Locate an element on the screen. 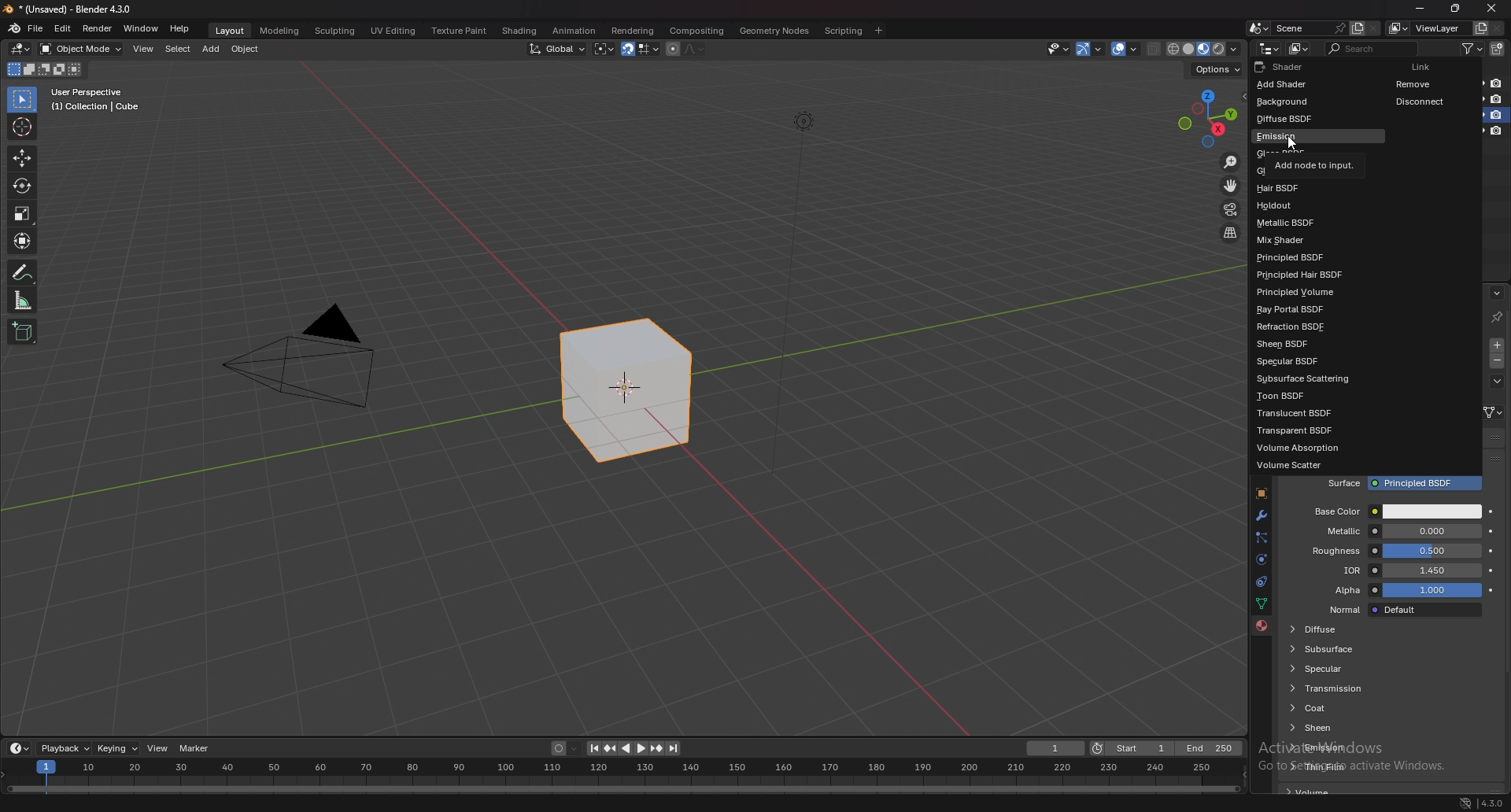  diffuse is located at coordinates (1342, 629).